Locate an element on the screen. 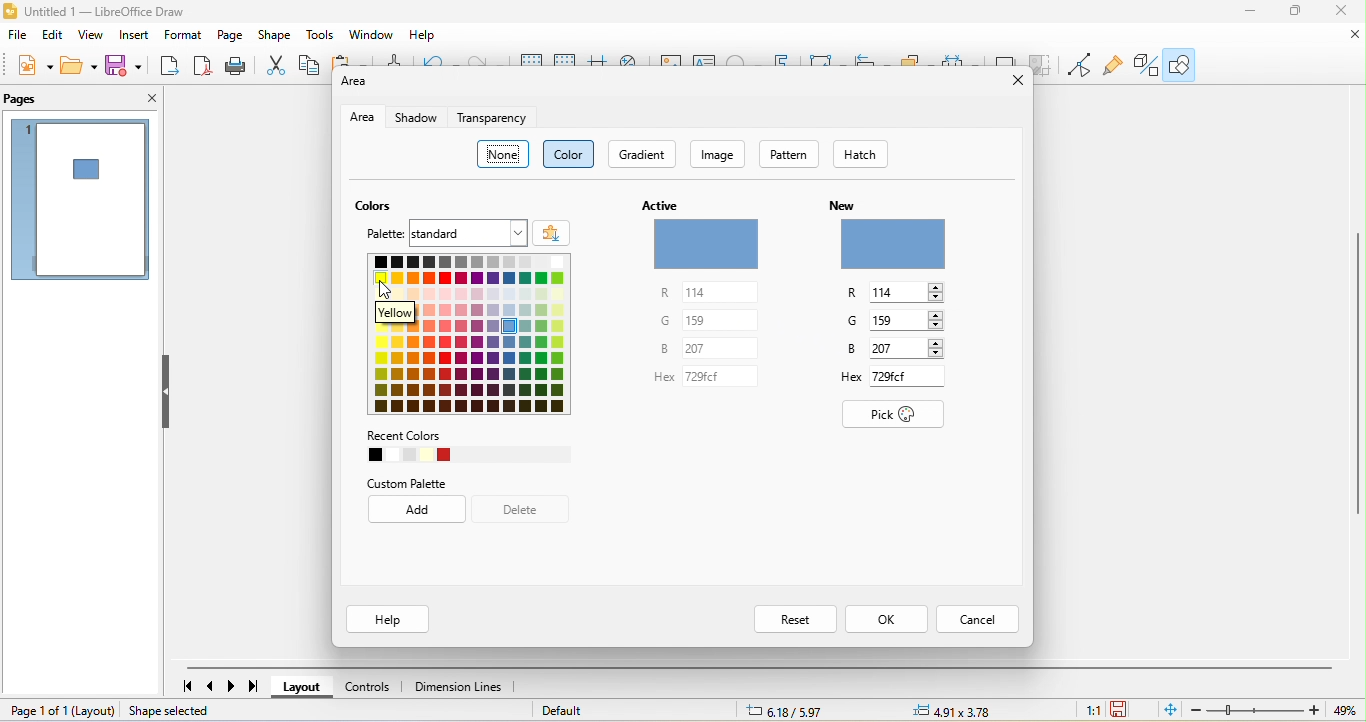  default is located at coordinates (572, 711).